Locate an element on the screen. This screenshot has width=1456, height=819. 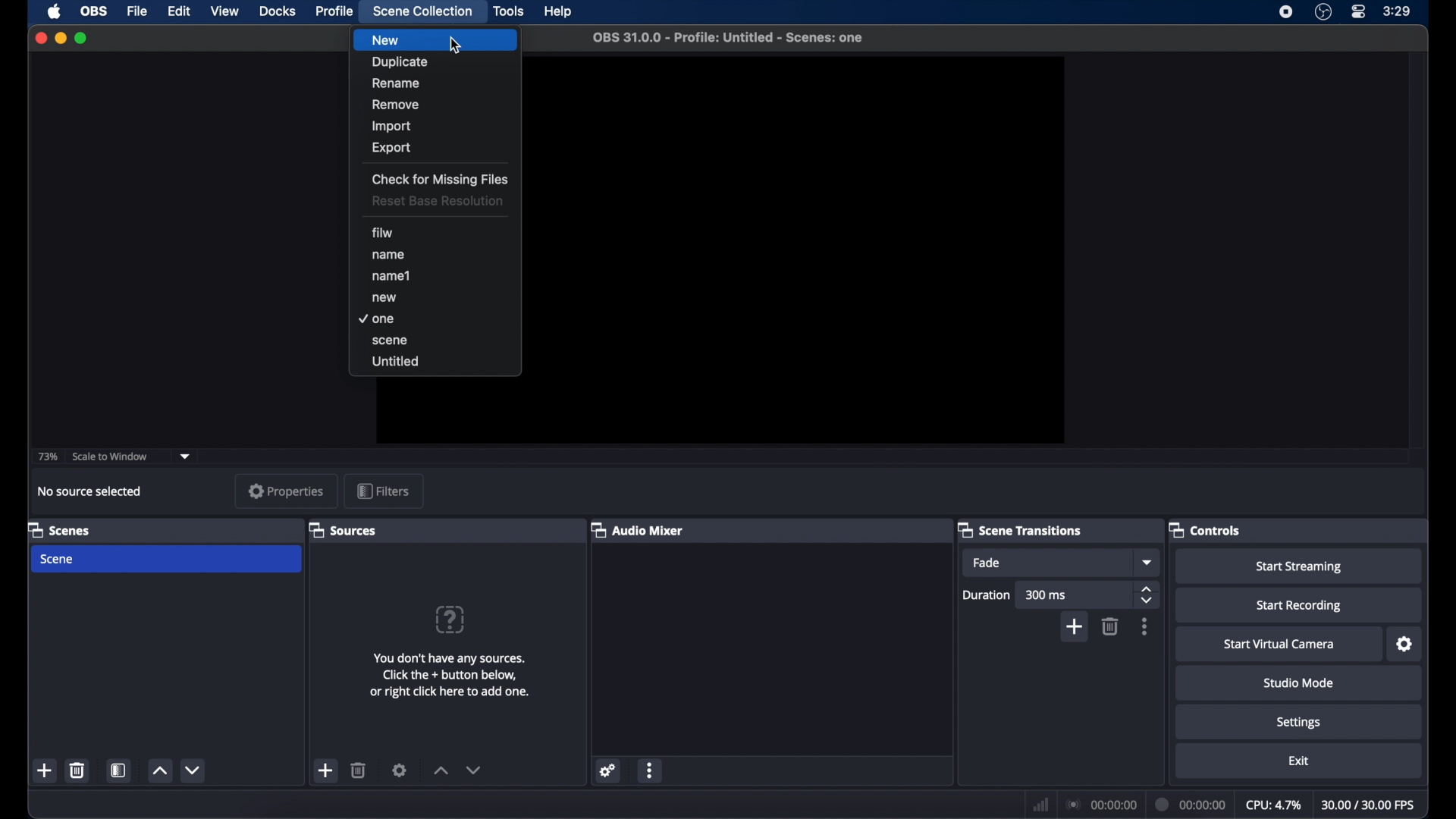
name1 is located at coordinates (434, 276).